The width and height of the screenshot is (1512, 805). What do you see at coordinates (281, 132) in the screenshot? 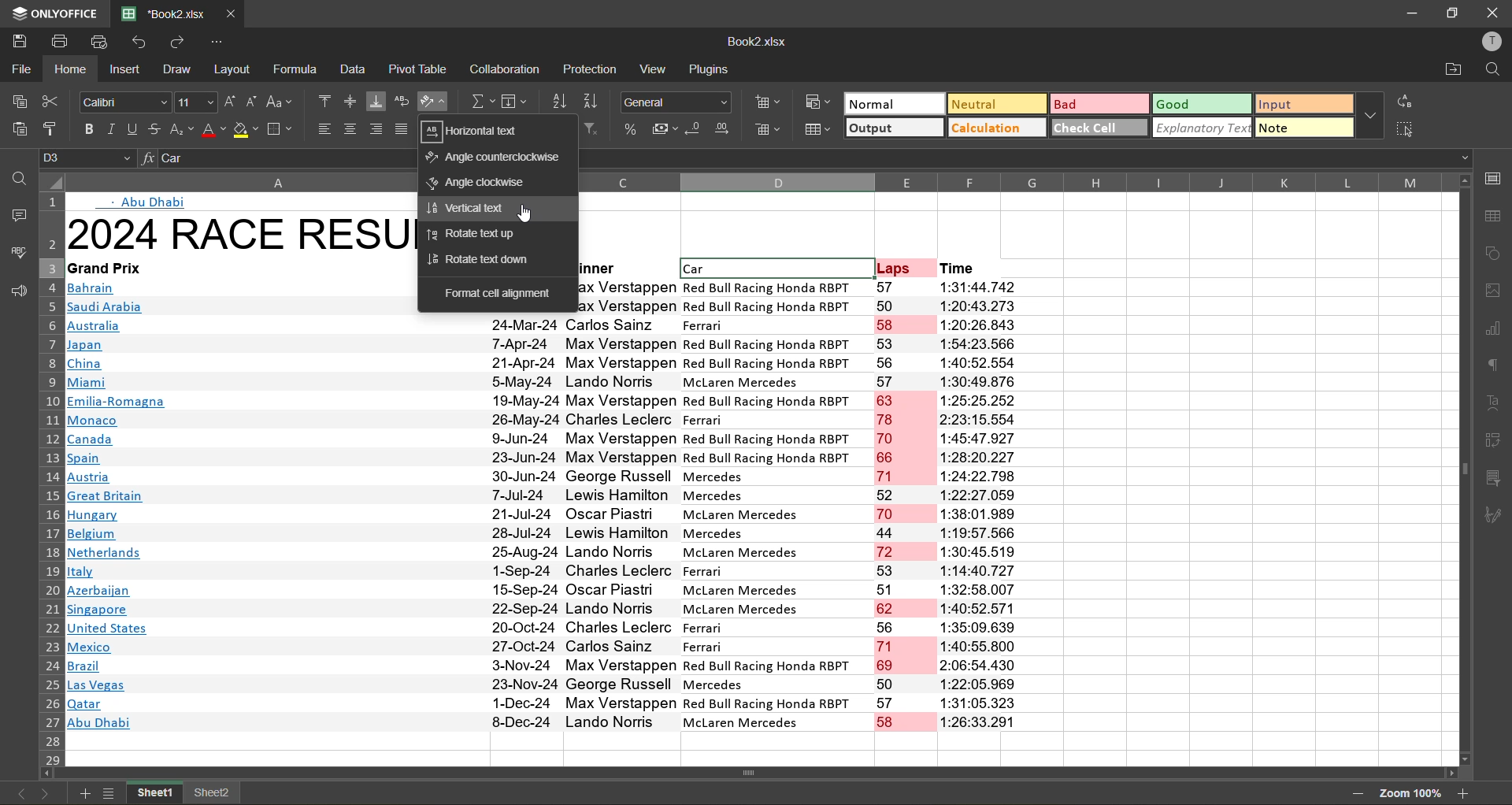
I see `borders` at bounding box center [281, 132].